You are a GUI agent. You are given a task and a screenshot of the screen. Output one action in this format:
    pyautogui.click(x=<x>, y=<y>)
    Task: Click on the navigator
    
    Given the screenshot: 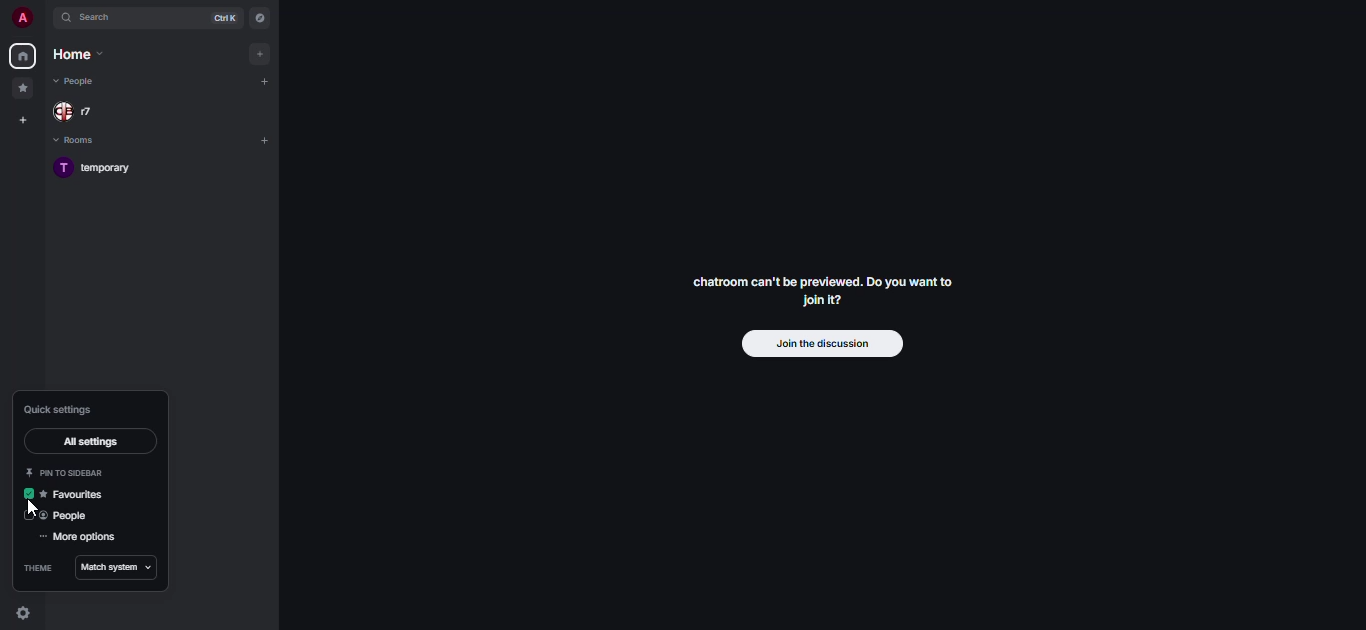 What is the action you would take?
    pyautogui.click(x=261, y=18)
    